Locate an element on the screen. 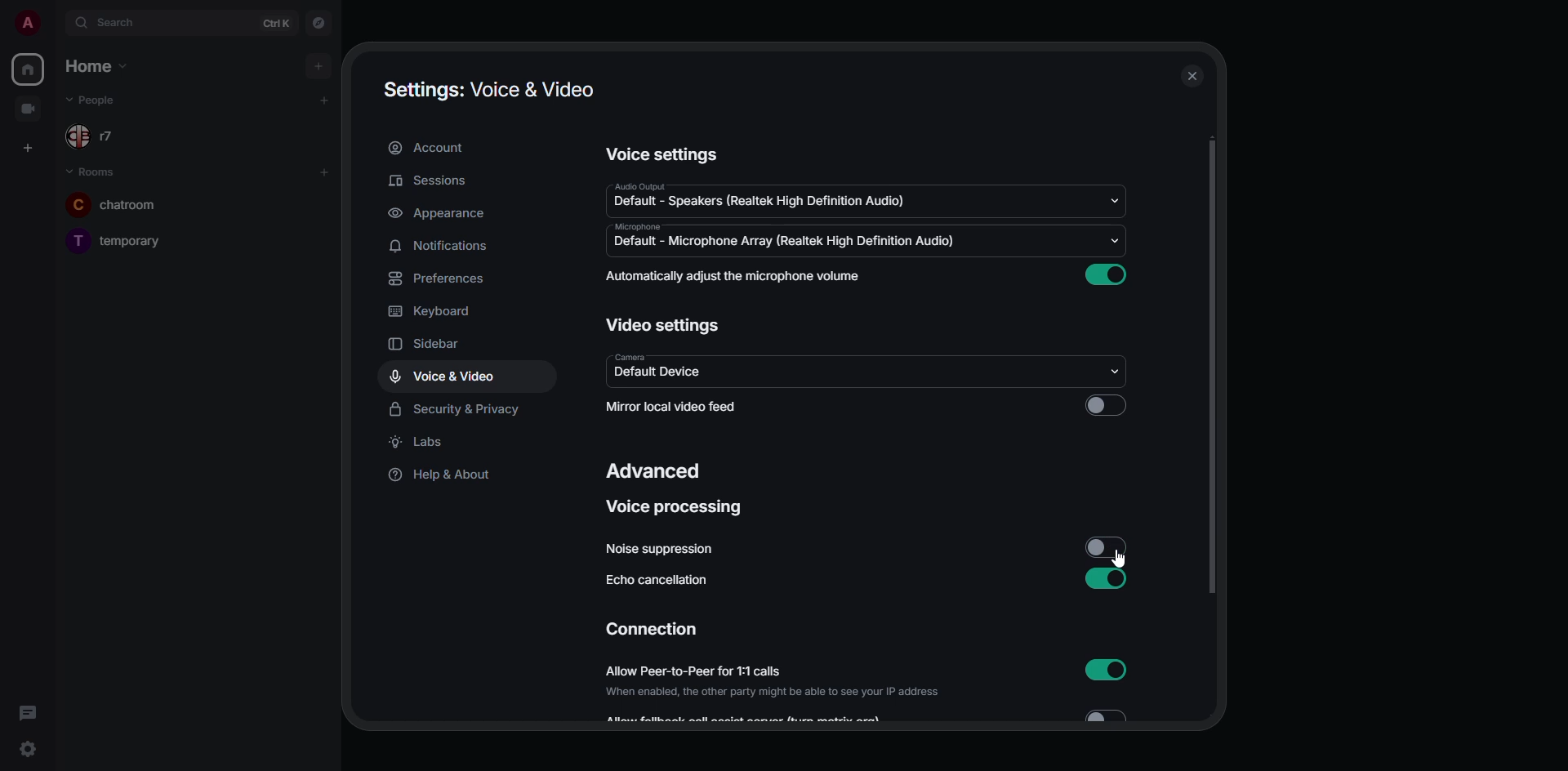 This screenshot has width=1568, height=771. add is located at coordinates (317, 64).